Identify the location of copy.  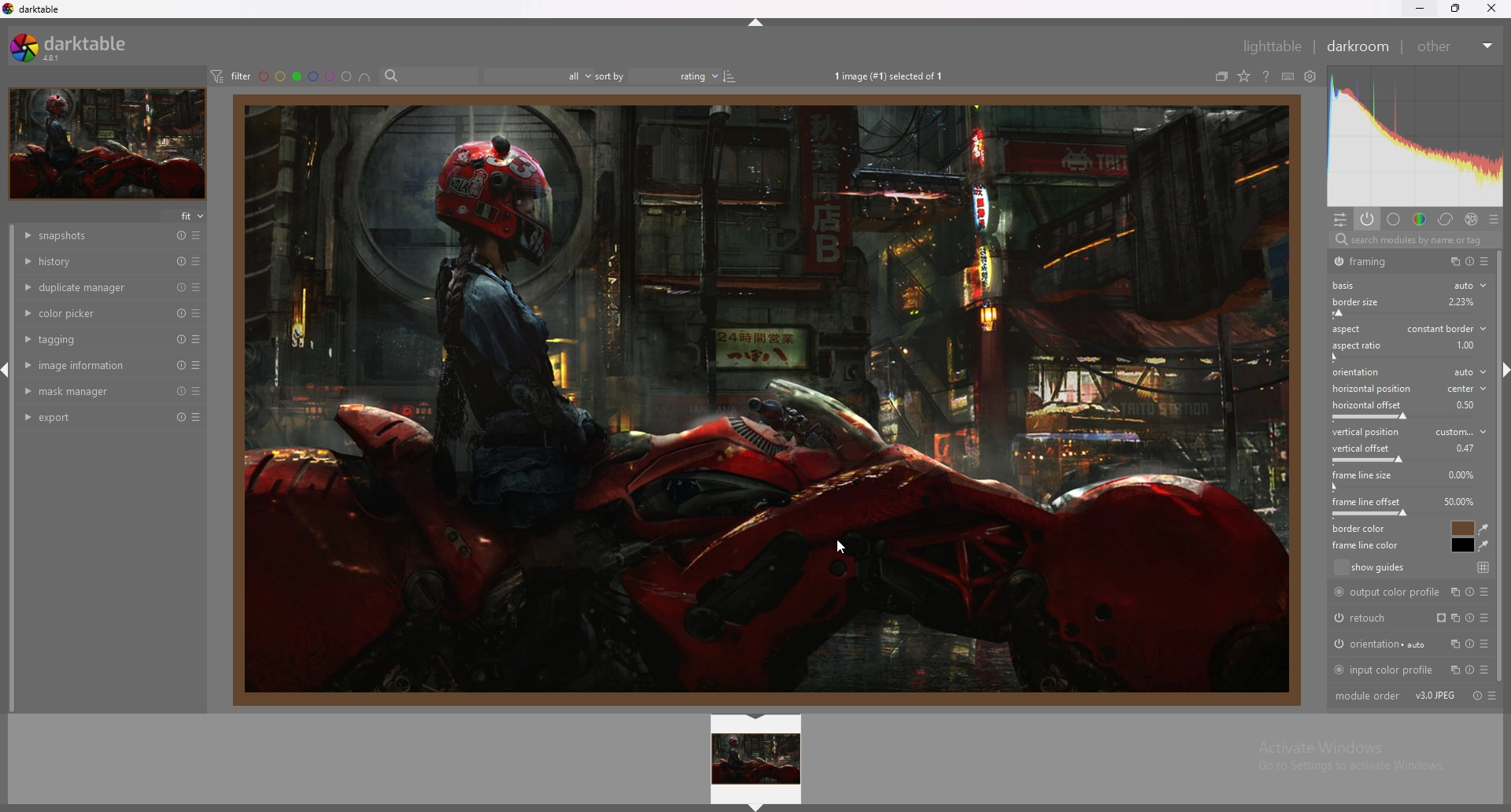
(1451, 261).